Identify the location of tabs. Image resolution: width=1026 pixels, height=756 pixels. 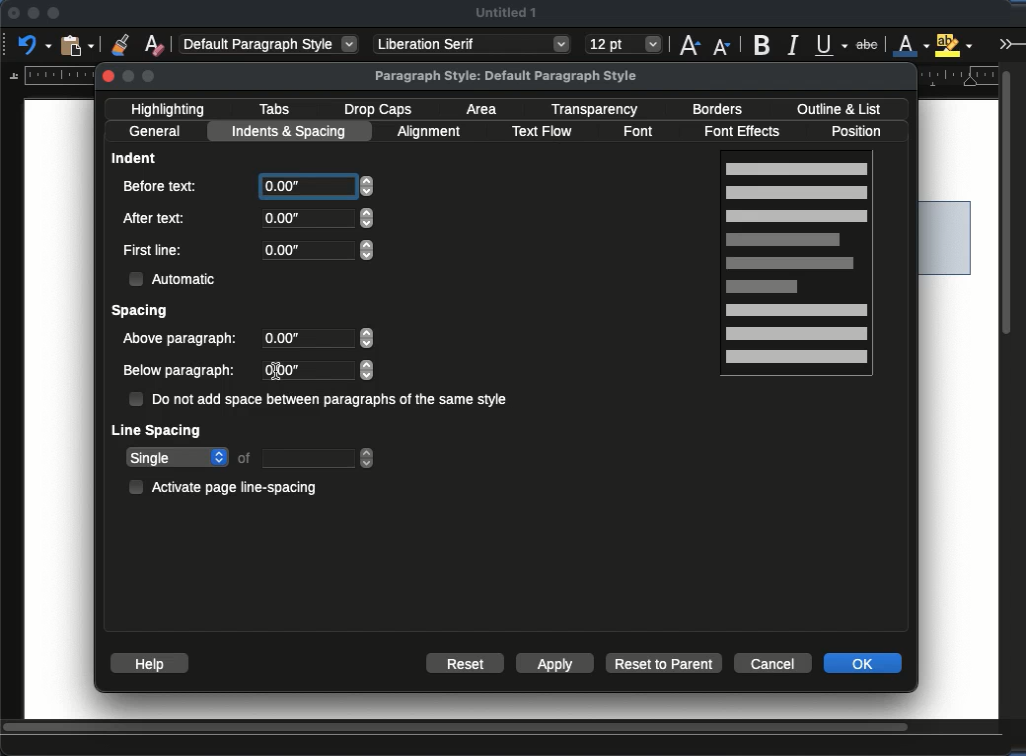
(274, 109).